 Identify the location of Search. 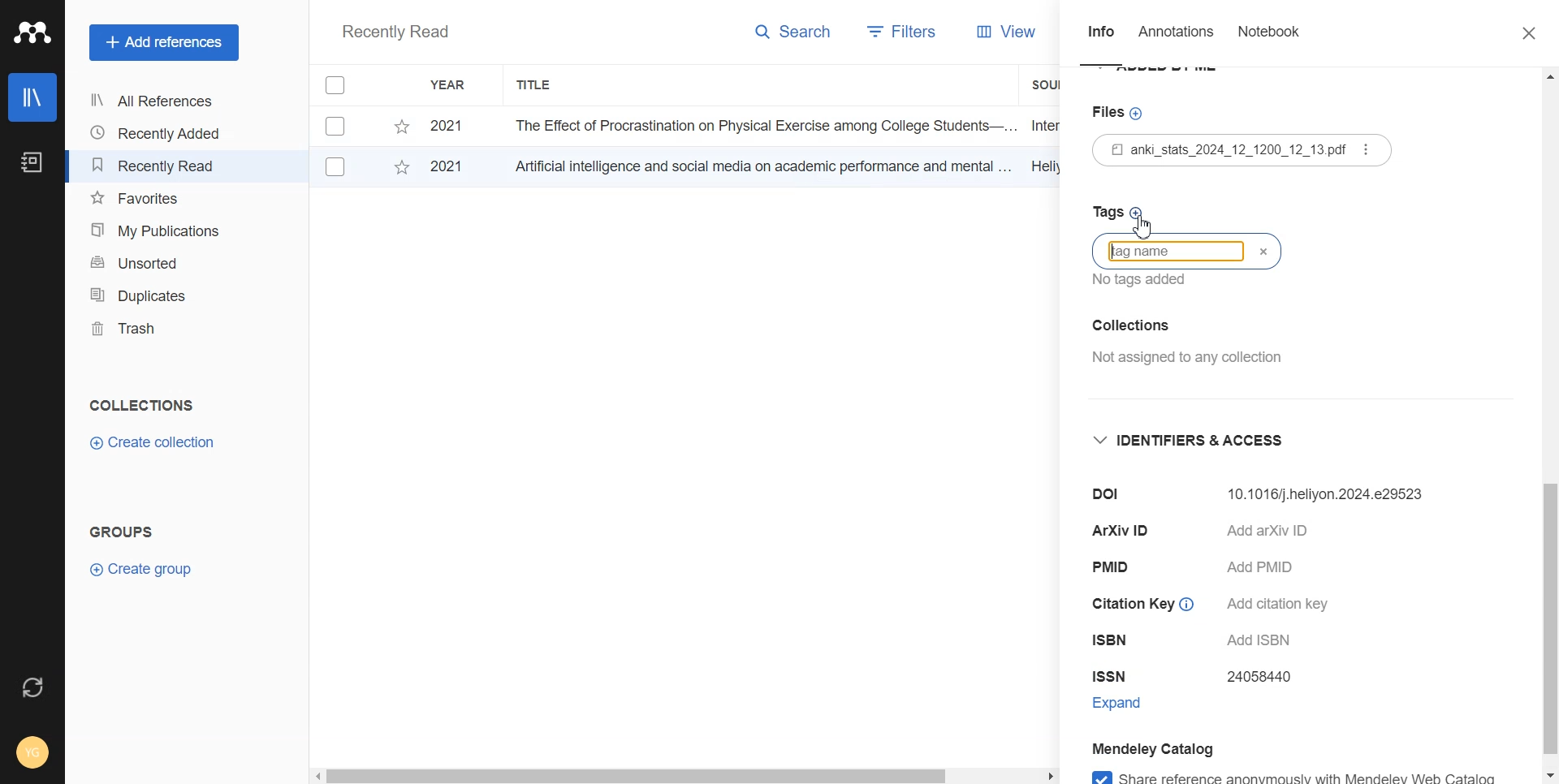
(794, 35).